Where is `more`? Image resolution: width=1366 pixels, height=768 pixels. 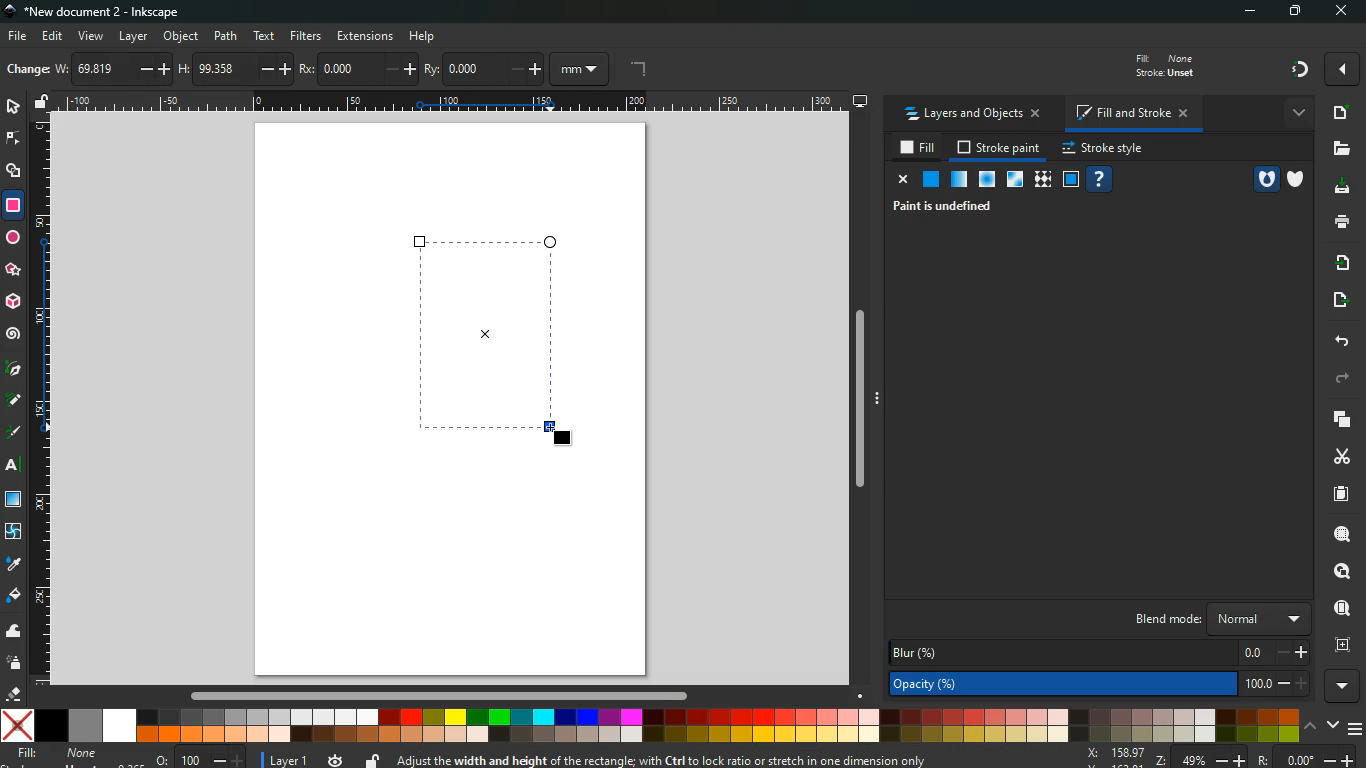 more is located at coordinates (1295, 114).